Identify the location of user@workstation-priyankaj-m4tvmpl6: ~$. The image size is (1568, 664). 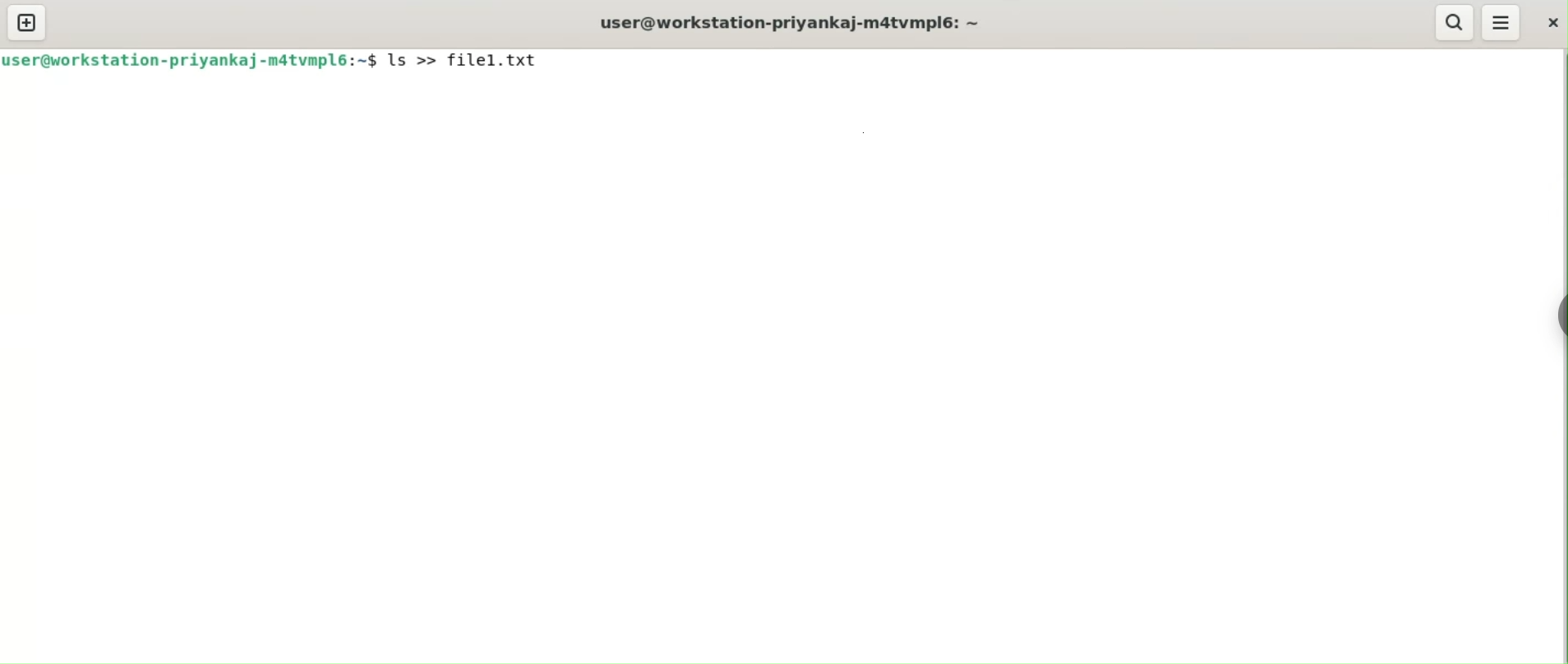
(190, 61).